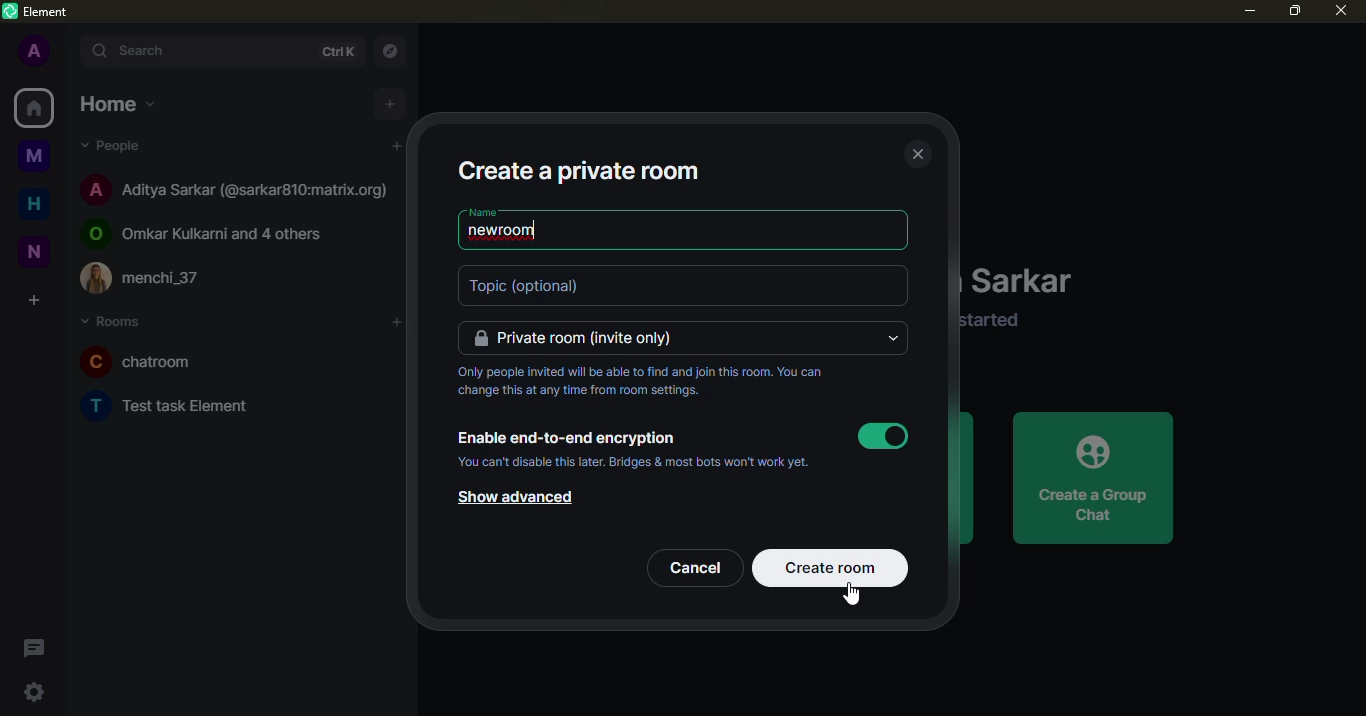 This screenshot has width=1366, height=716. I want to click on myspace, so click(36, 158).